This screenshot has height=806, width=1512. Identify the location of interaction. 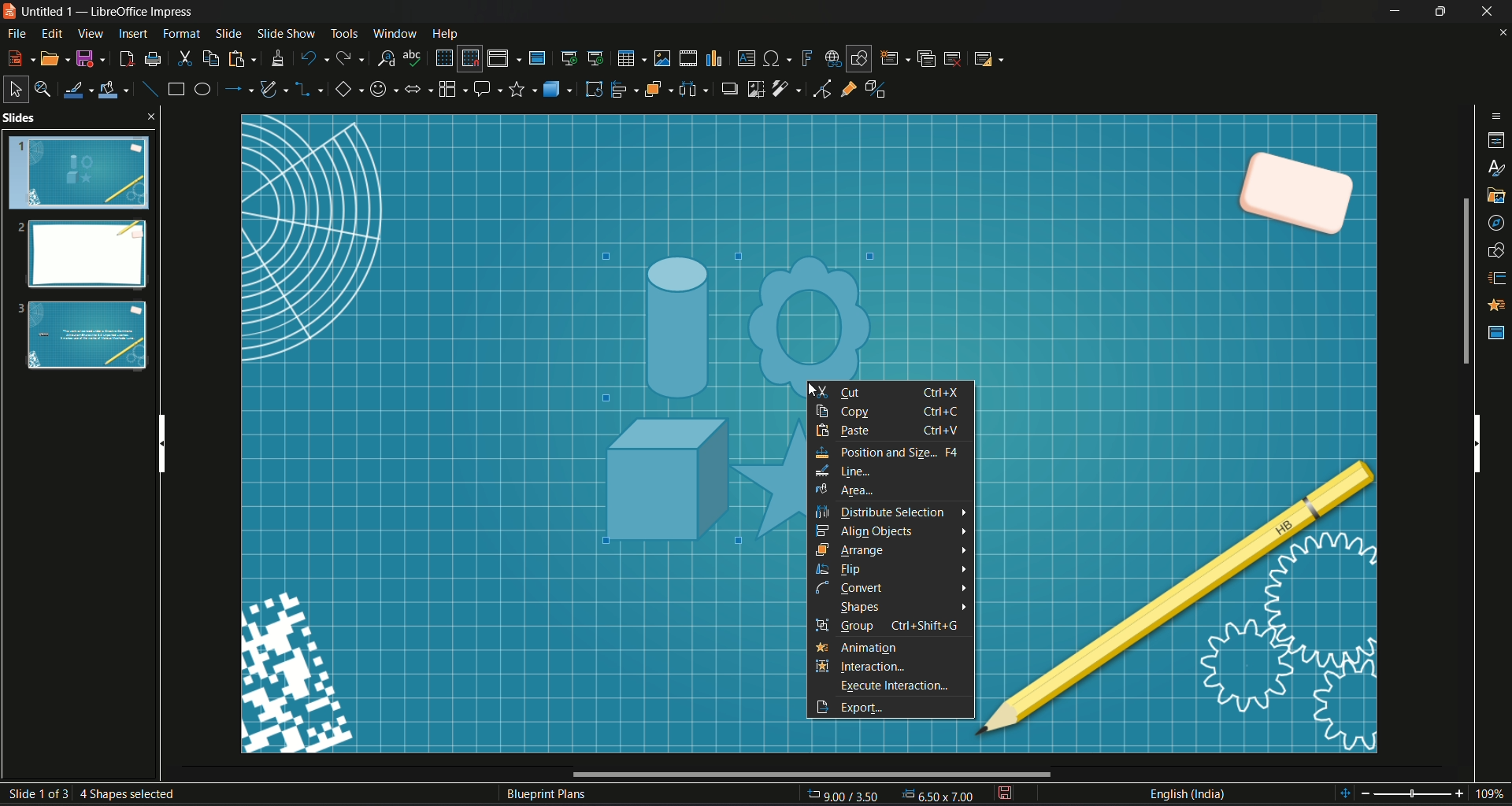
(873, 666).